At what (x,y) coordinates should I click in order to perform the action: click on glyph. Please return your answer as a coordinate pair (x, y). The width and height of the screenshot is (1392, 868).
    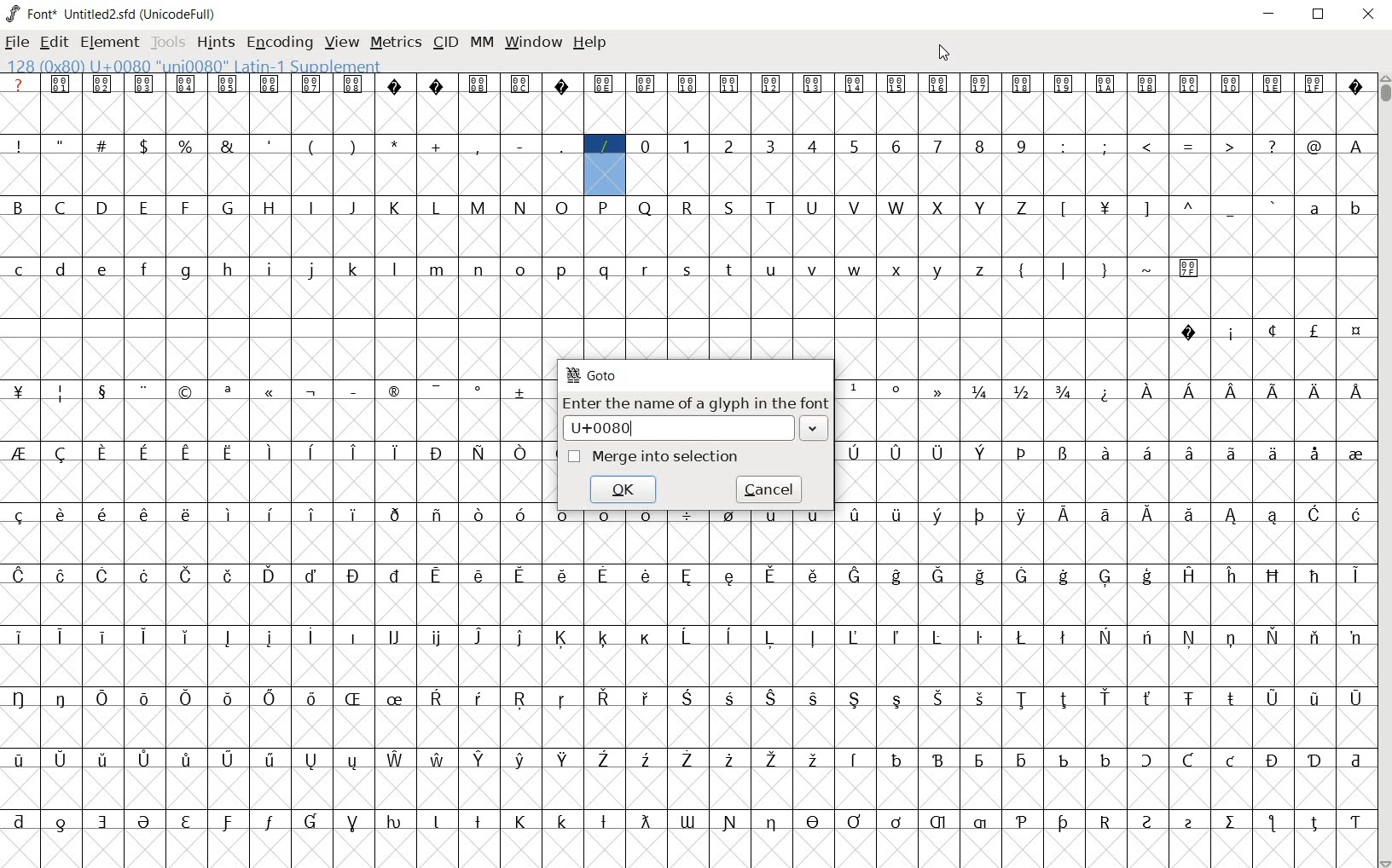
    Looking at the image, I should click on (1273, 330).